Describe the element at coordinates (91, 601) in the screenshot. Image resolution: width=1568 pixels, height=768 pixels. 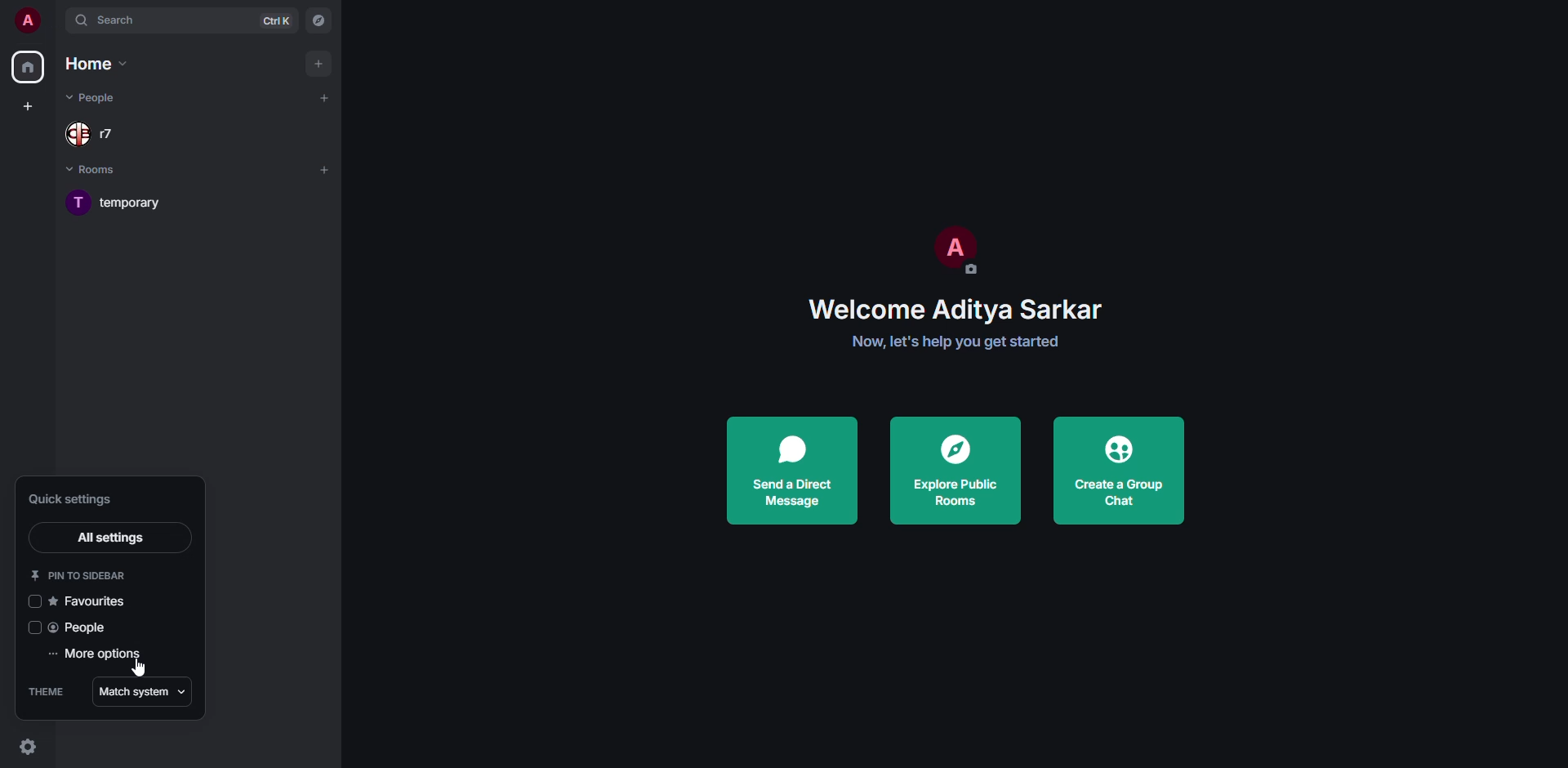
I see `favorites` at that location.